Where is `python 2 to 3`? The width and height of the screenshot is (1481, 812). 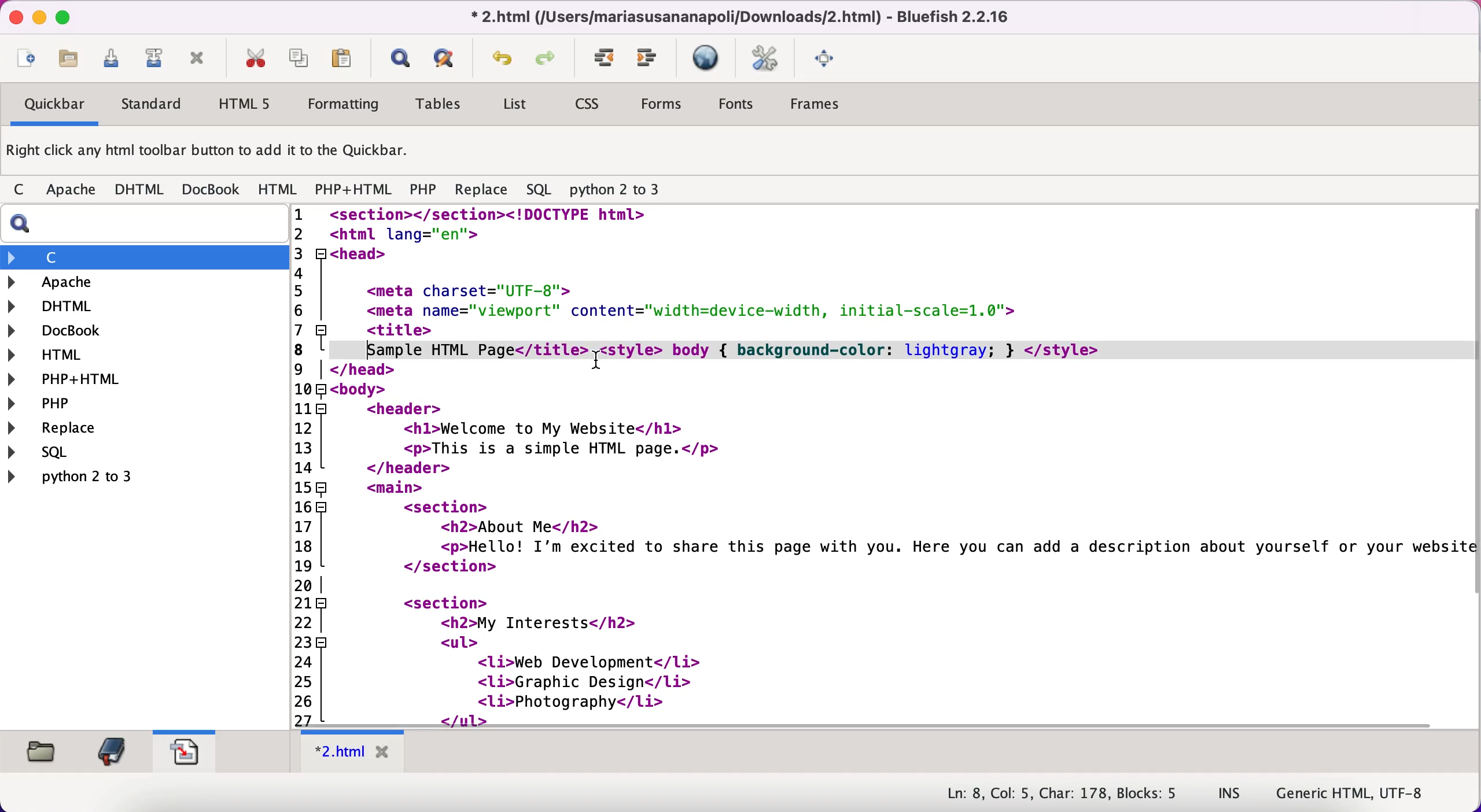 python 2 to 3 is located at coordinates (84, 476).